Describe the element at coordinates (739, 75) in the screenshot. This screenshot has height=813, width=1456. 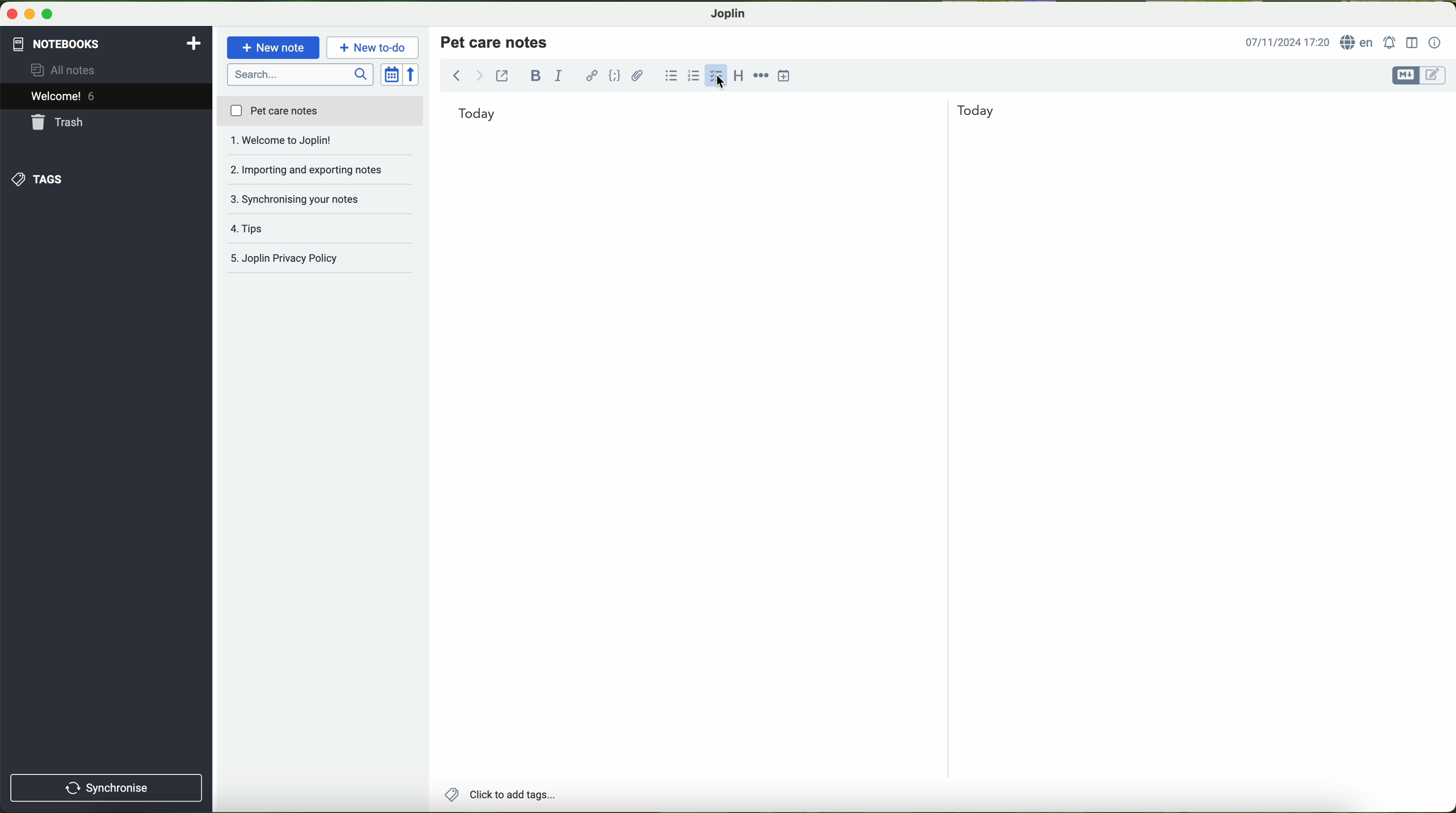
I see `heading` at that location.